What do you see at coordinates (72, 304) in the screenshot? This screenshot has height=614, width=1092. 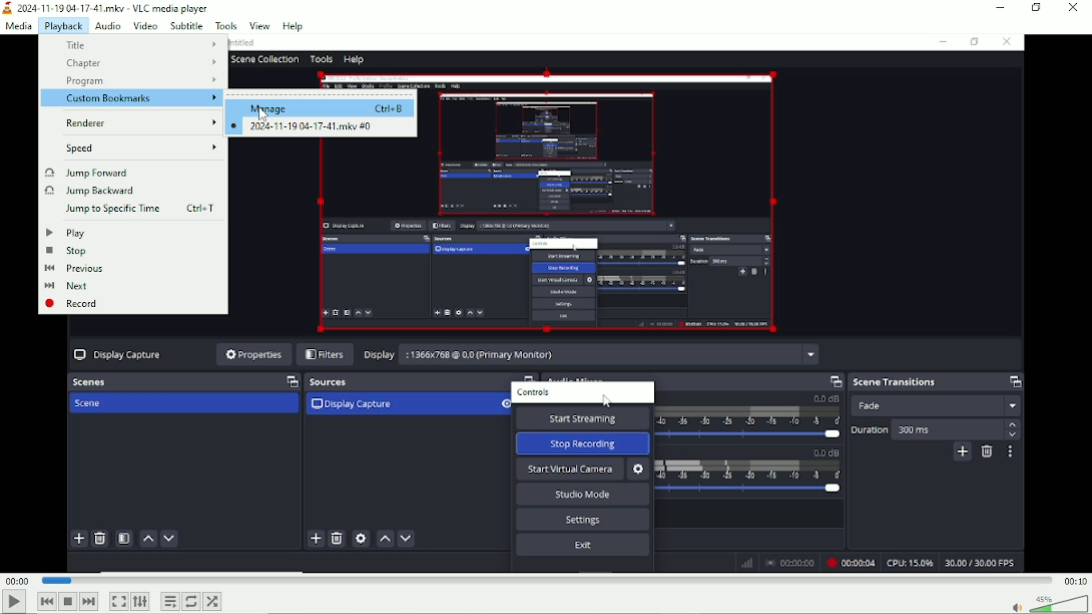 I see `record` at bounding box center [72, 304].